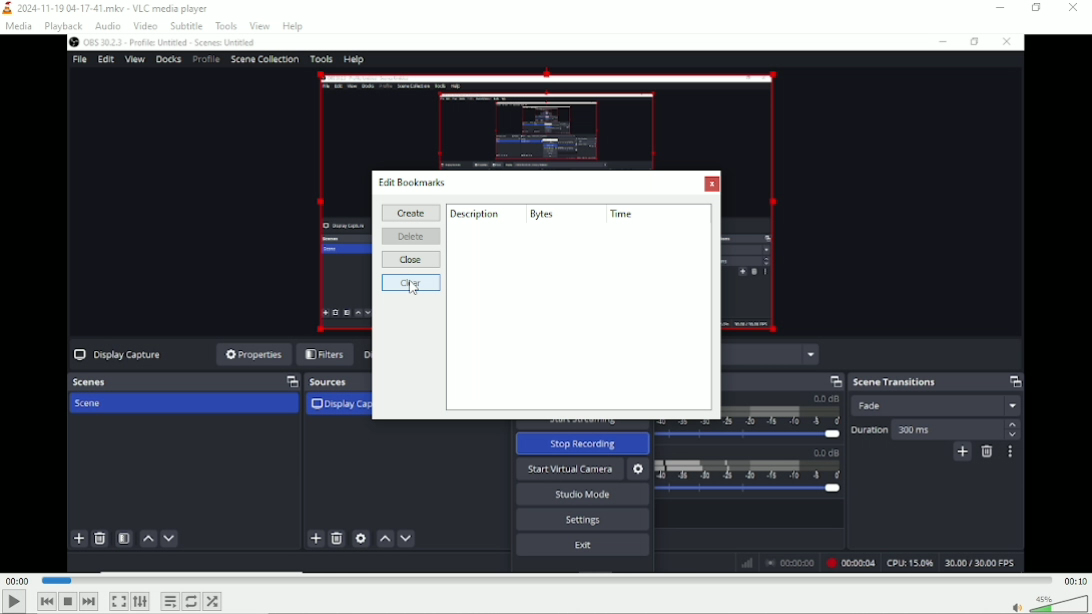 Image resolution: width=1092 pixels, height=614 pixels. Describe the element at coordinates (63, 26) in the screenshot. I see `Playback` at that location.